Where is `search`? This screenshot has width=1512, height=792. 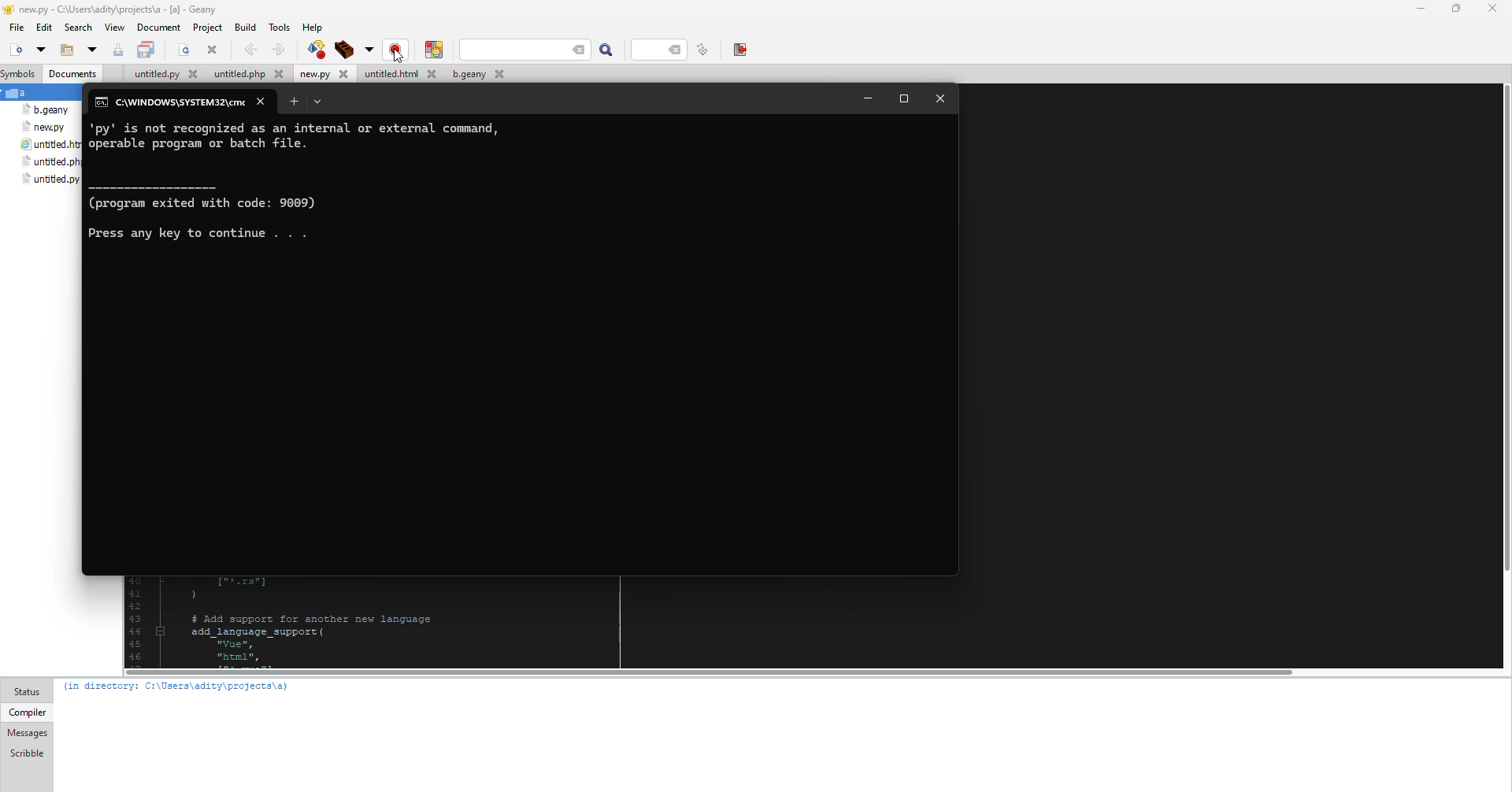
search is located at coordinates (547, 50).